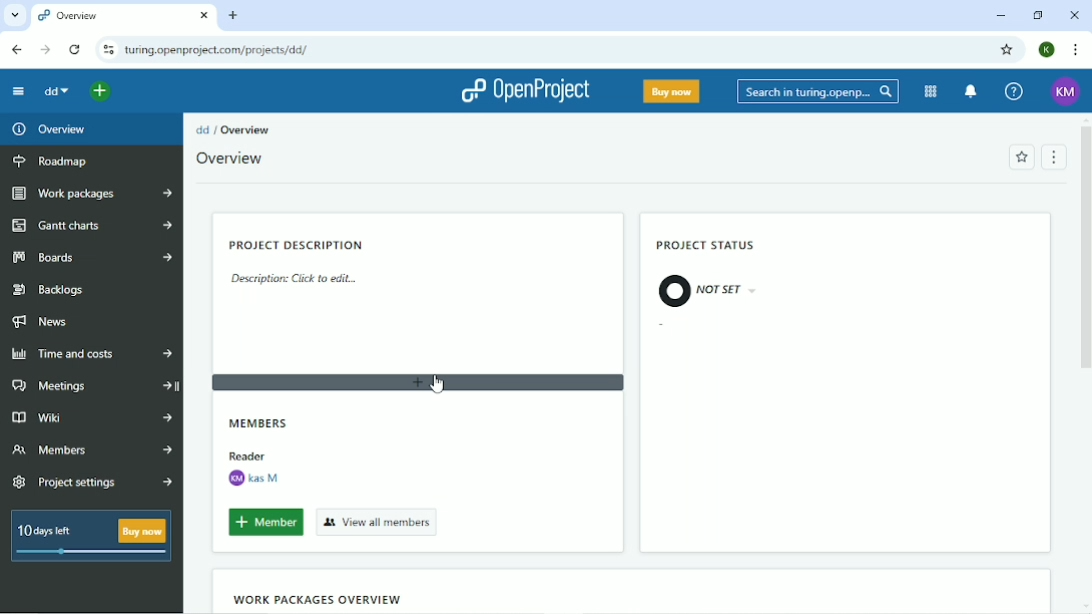 The height and width of the screenshot is (614, 1092). What do you see at coordinates (296, 244) in the screenshot?
I see `Project description` at bounding box center [296, 244].